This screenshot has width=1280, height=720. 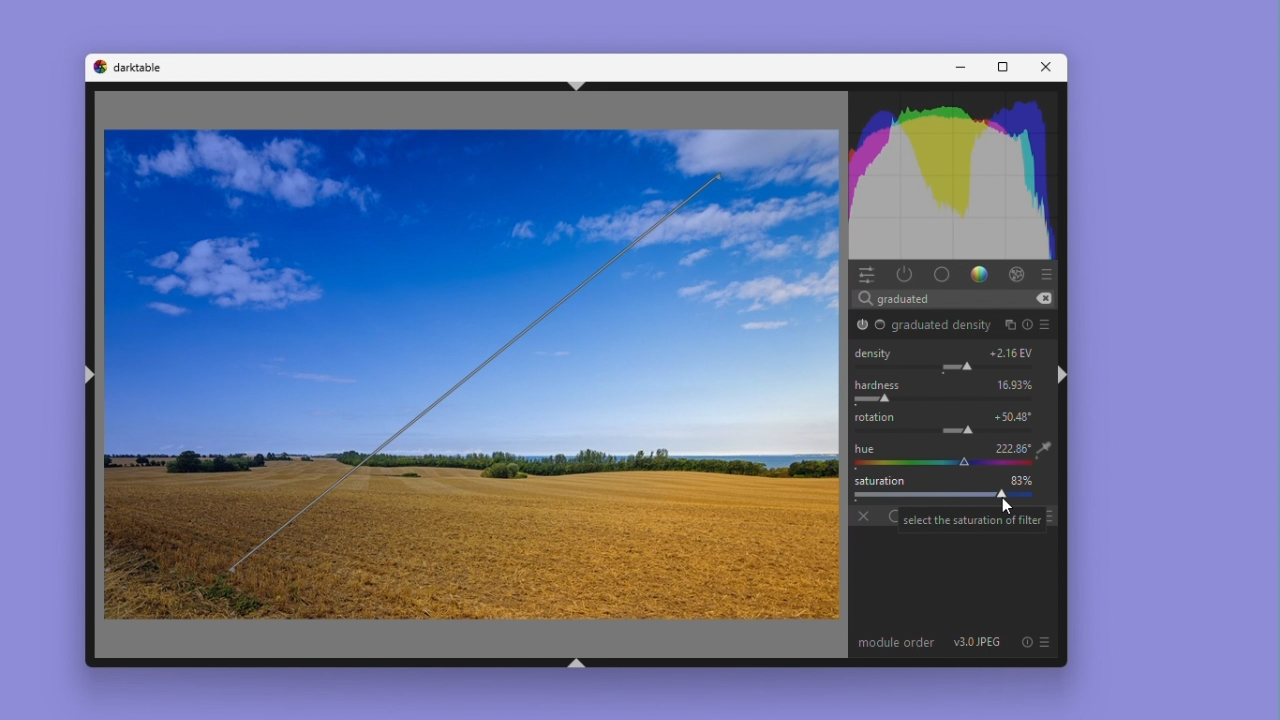 What do you see at coordinates (862, 324) in the screenshot?
I see `graduated density` at bounding box center [862, 324].